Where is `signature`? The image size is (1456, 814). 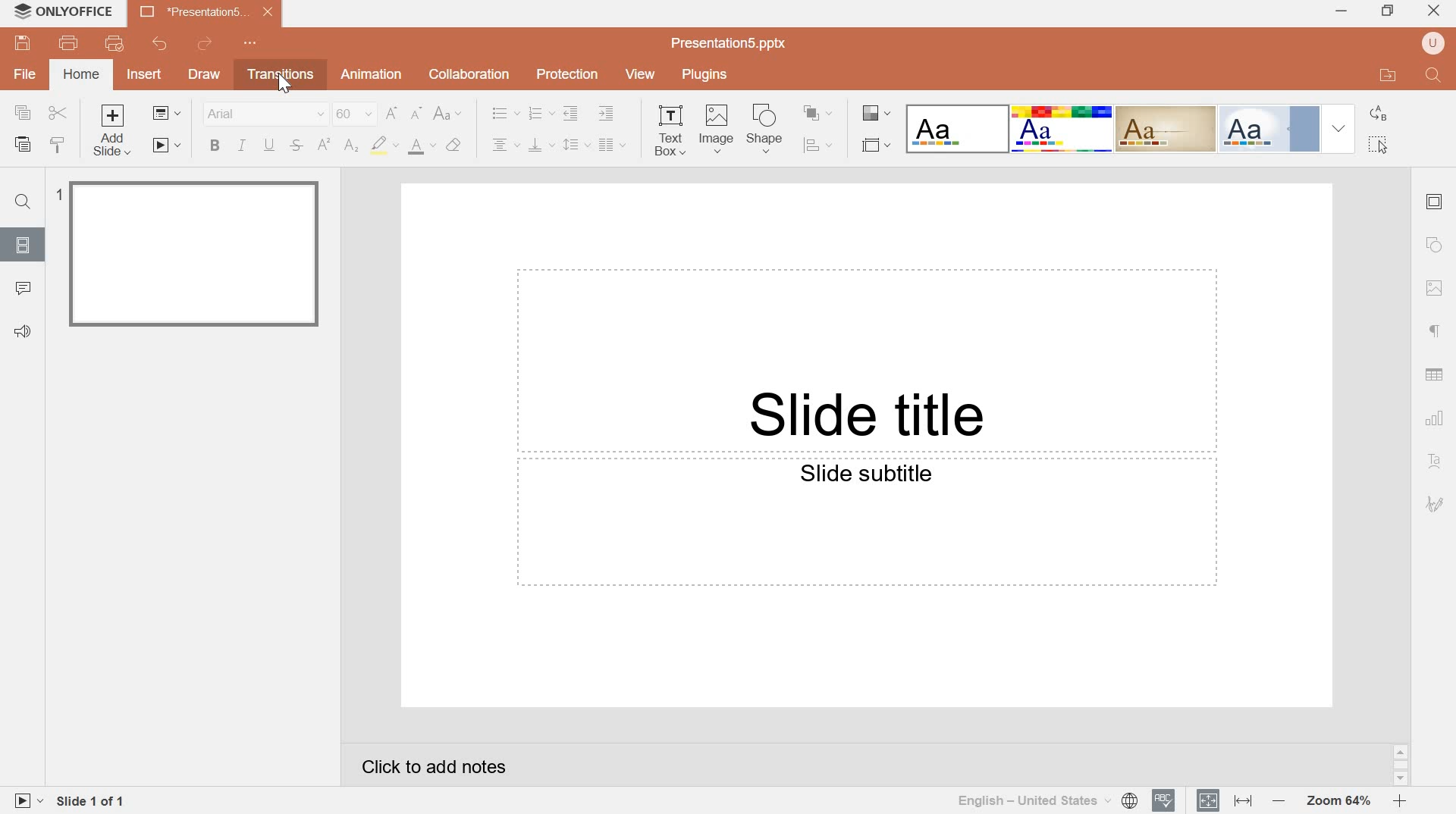
signature is located at coordinates (1435, 505).